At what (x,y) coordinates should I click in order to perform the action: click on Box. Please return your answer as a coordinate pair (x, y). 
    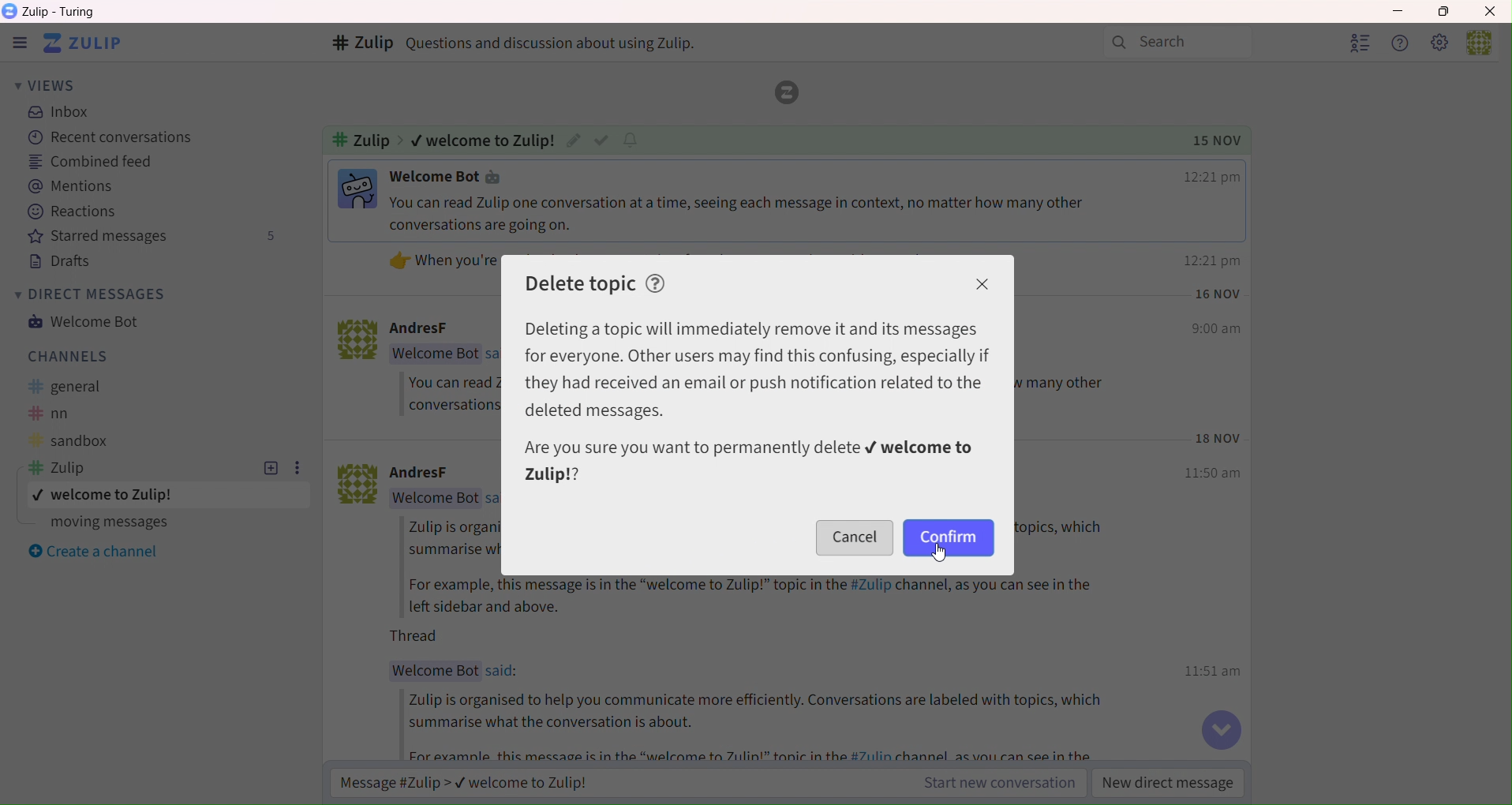
    Looking at the image, I should click on (1446, 12).